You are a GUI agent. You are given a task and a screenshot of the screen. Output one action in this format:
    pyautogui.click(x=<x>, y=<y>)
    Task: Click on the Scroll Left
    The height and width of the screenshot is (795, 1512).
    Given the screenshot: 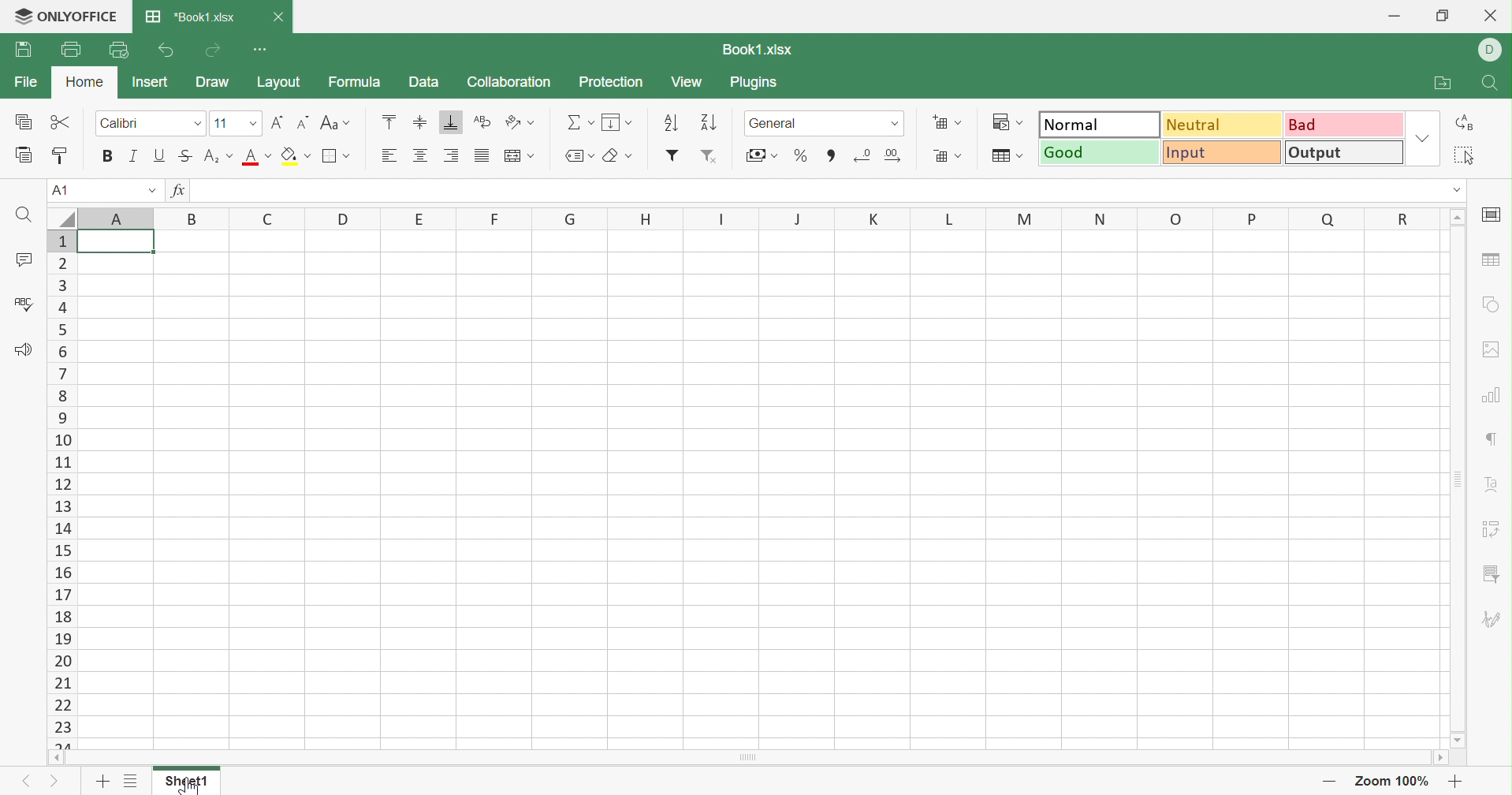 What is the action you would take?
    pyautogui.click(x=56, y=757)
    